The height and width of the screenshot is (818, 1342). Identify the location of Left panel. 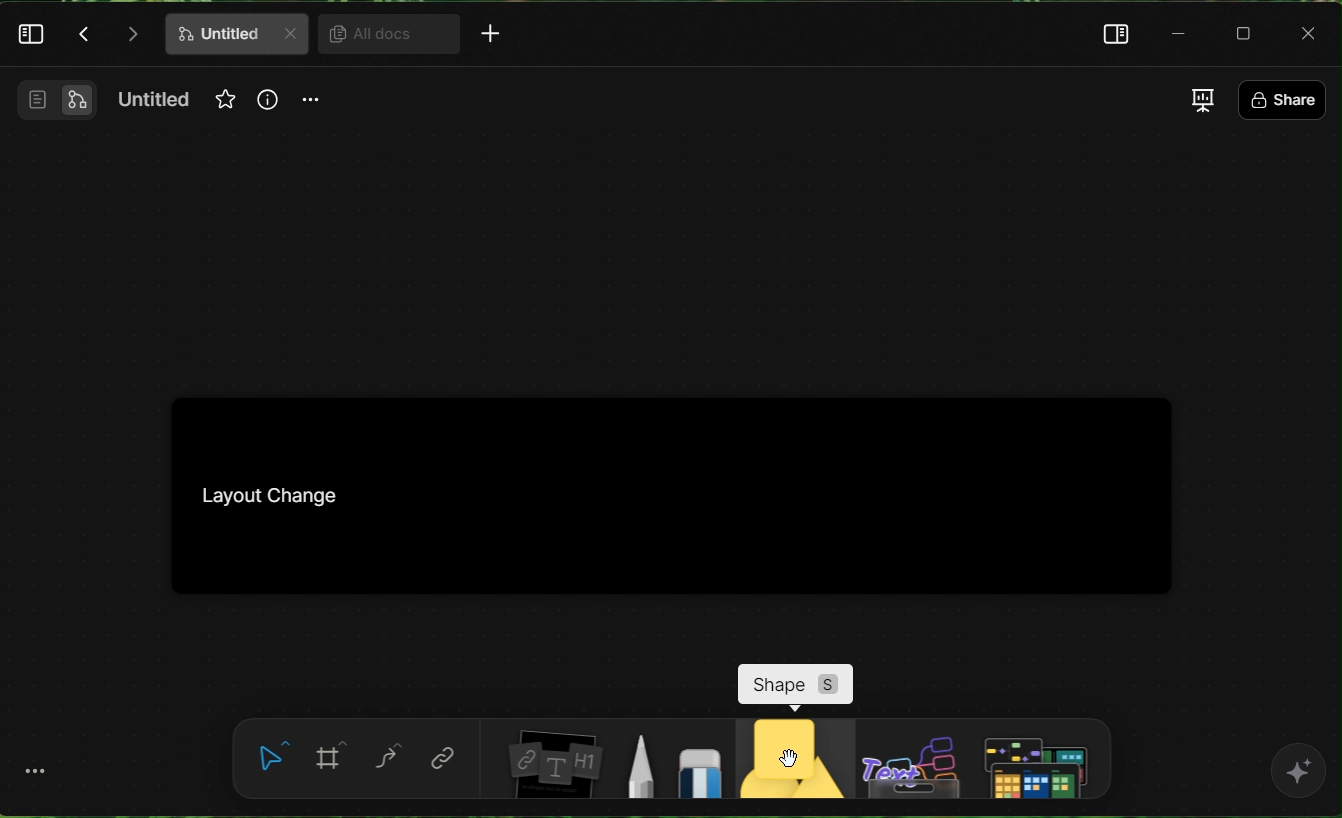
(33, 39).